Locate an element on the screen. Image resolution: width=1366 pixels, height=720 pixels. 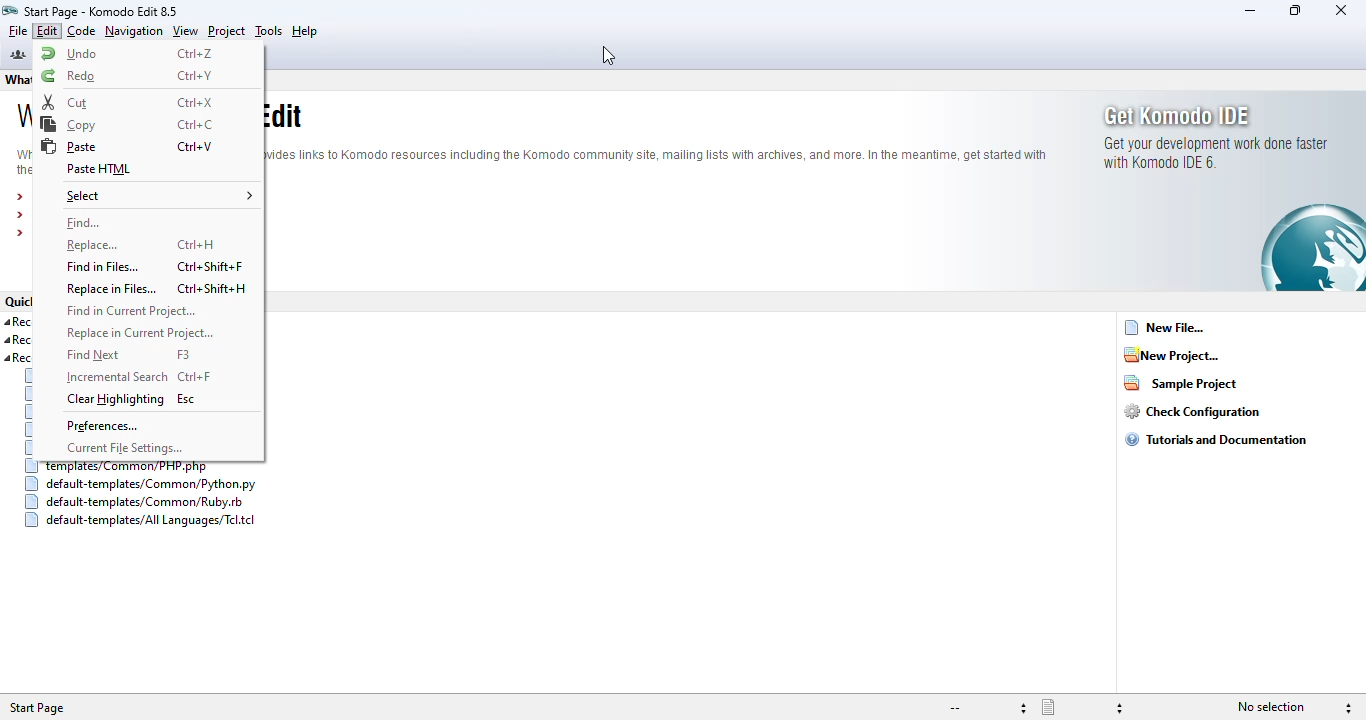
cursor is located at coordinates (609, 56).